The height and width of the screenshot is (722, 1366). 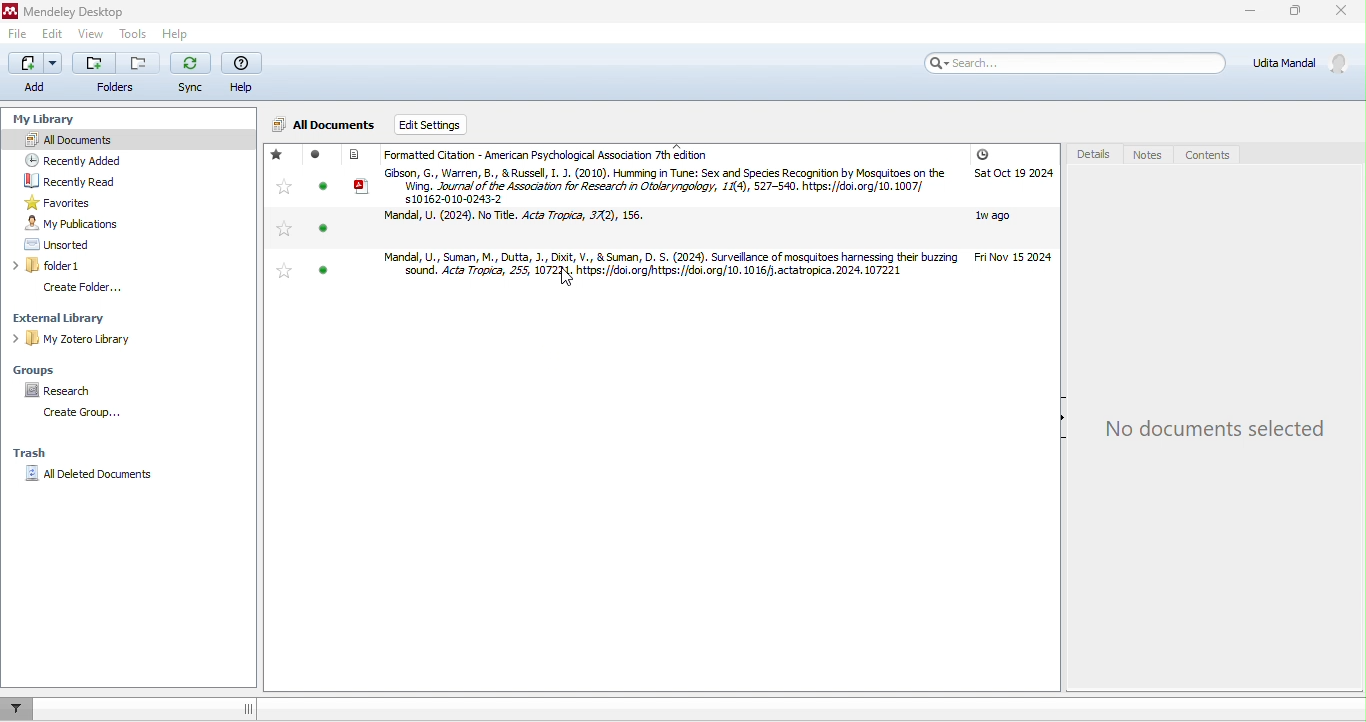 What do you see at coordinates (98, 266) in the screenshot?
I see `folder1` at bounding box center [98, 266].